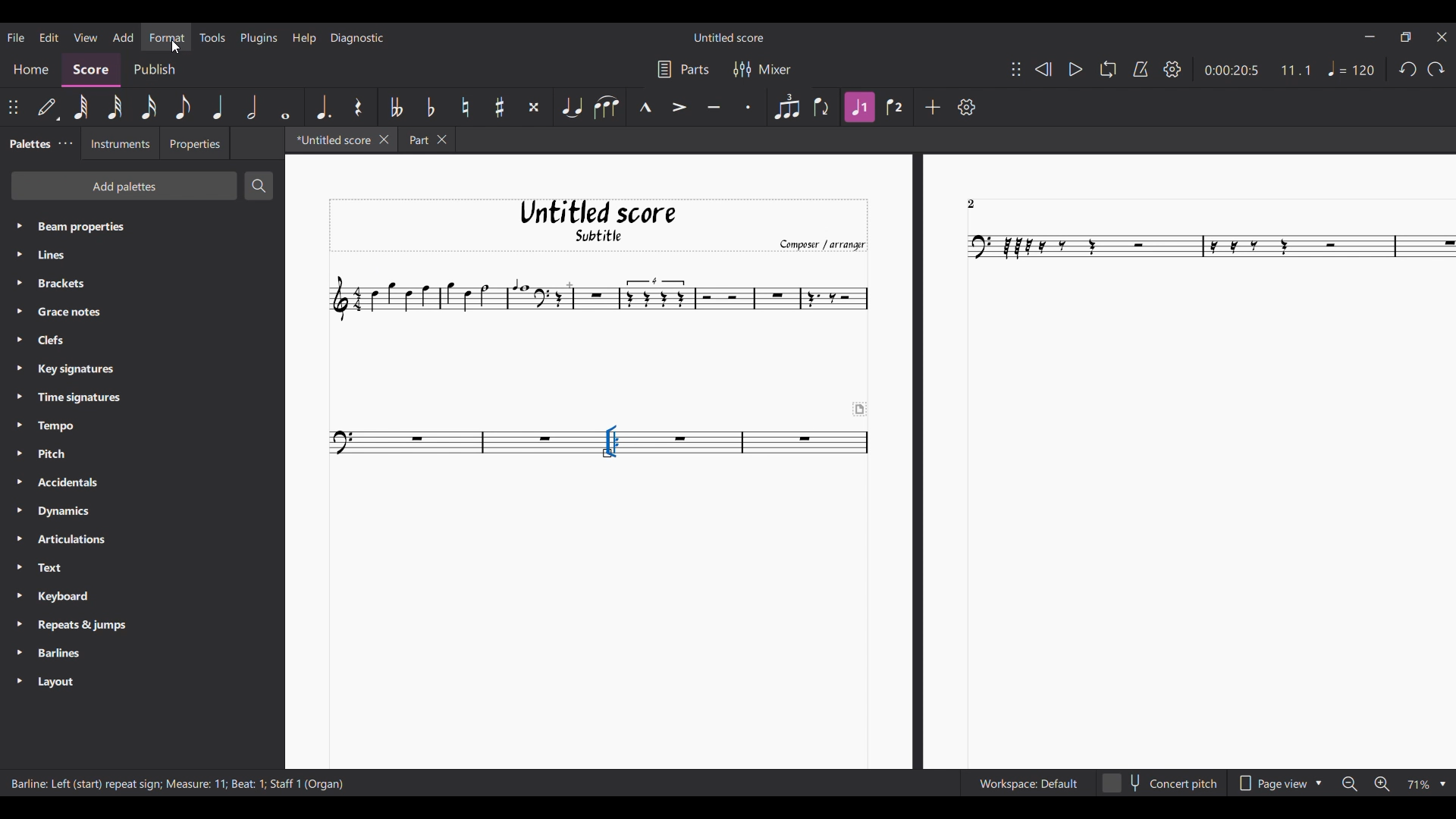 Image resolution: width=1456 pixels, height=819 pixels. I want to click on Palette settings, so click(66, 143).